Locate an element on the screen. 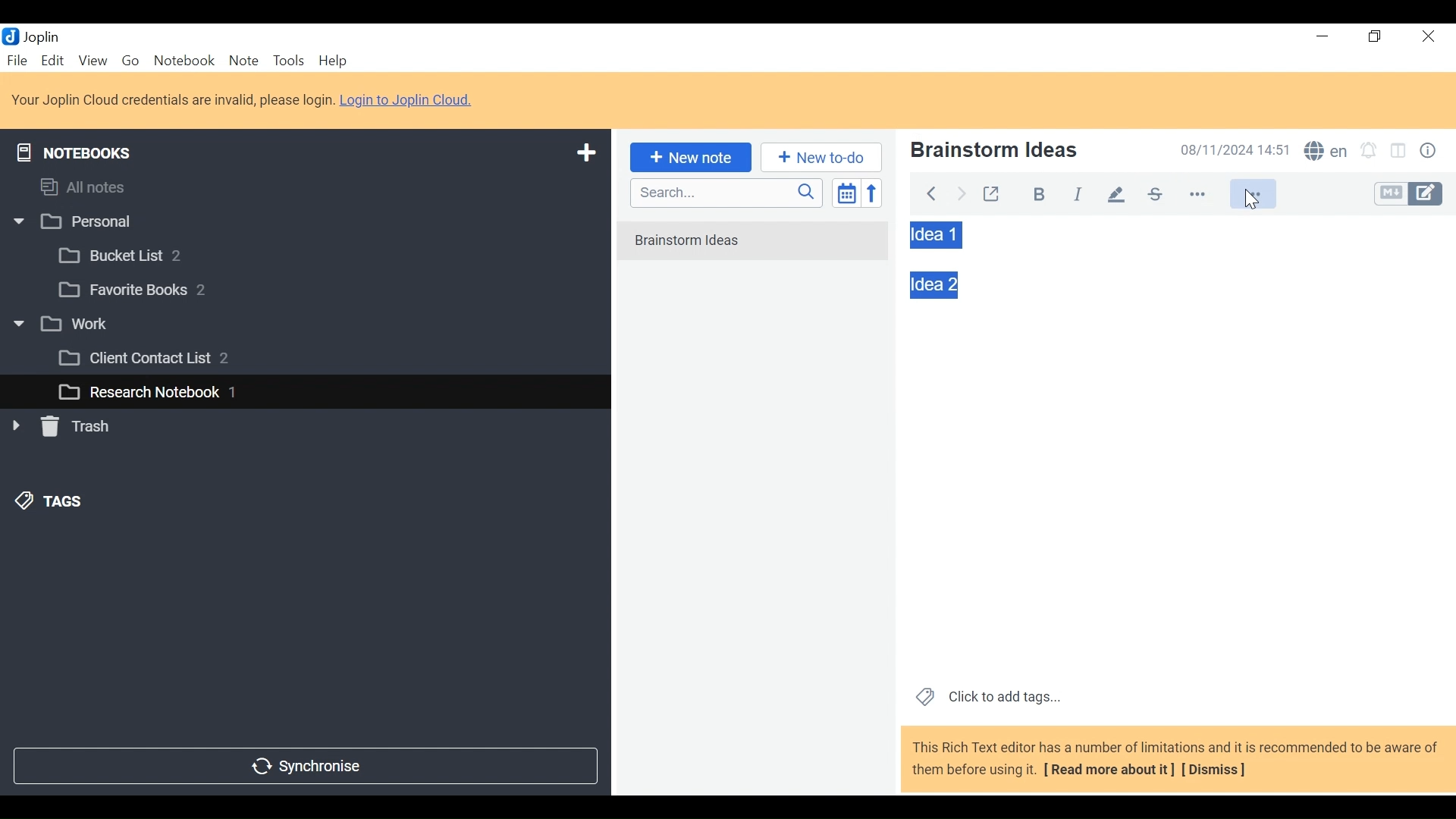 The width and height of the screenshot is (1456, 819). This Rich Text editor has a number of limitations and it is recommended to be aware of
them before using it. [ Read more about it] [Dismiss] is located at coordinates (1175, 758).